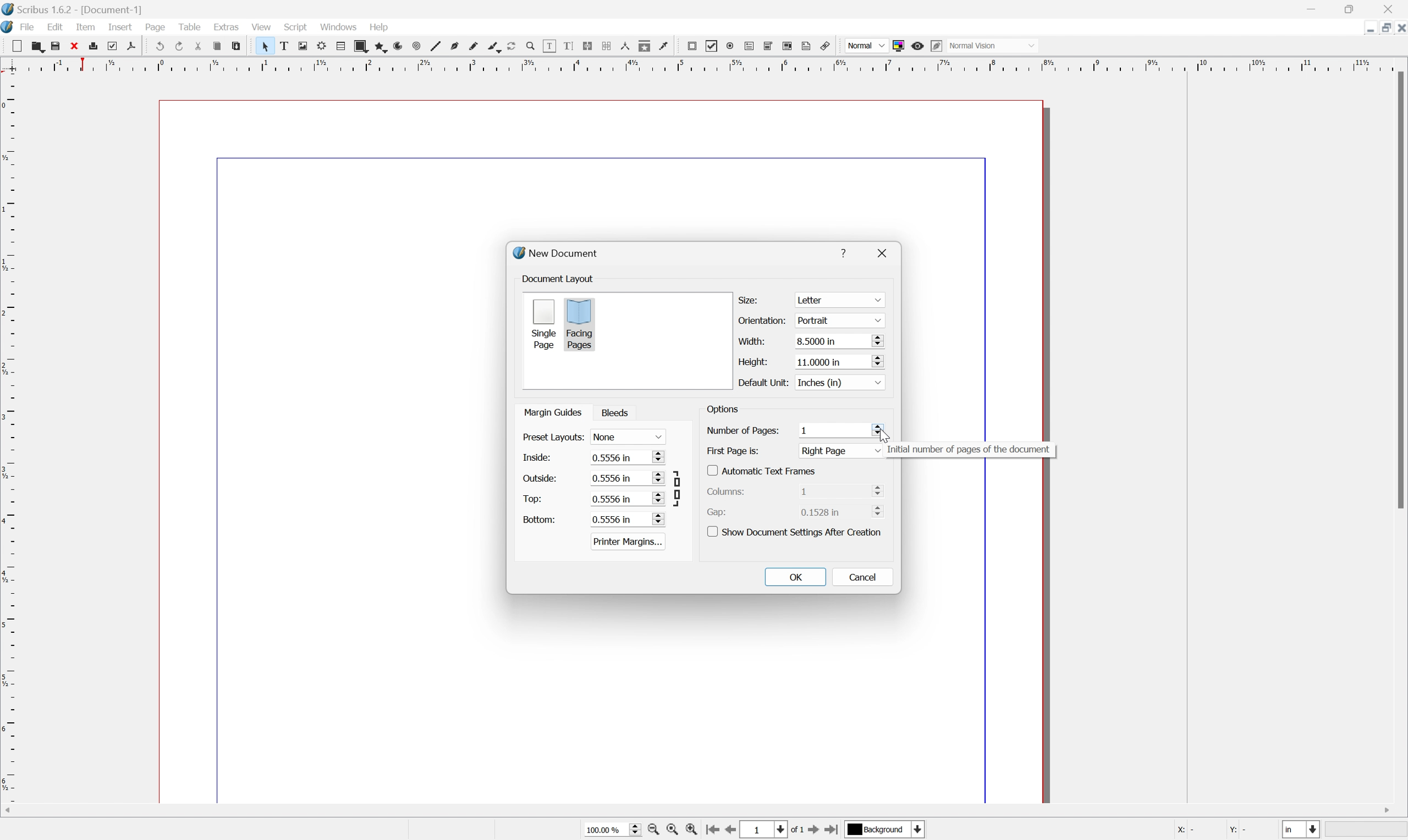  I want to click on Undo, so click(159, 46).